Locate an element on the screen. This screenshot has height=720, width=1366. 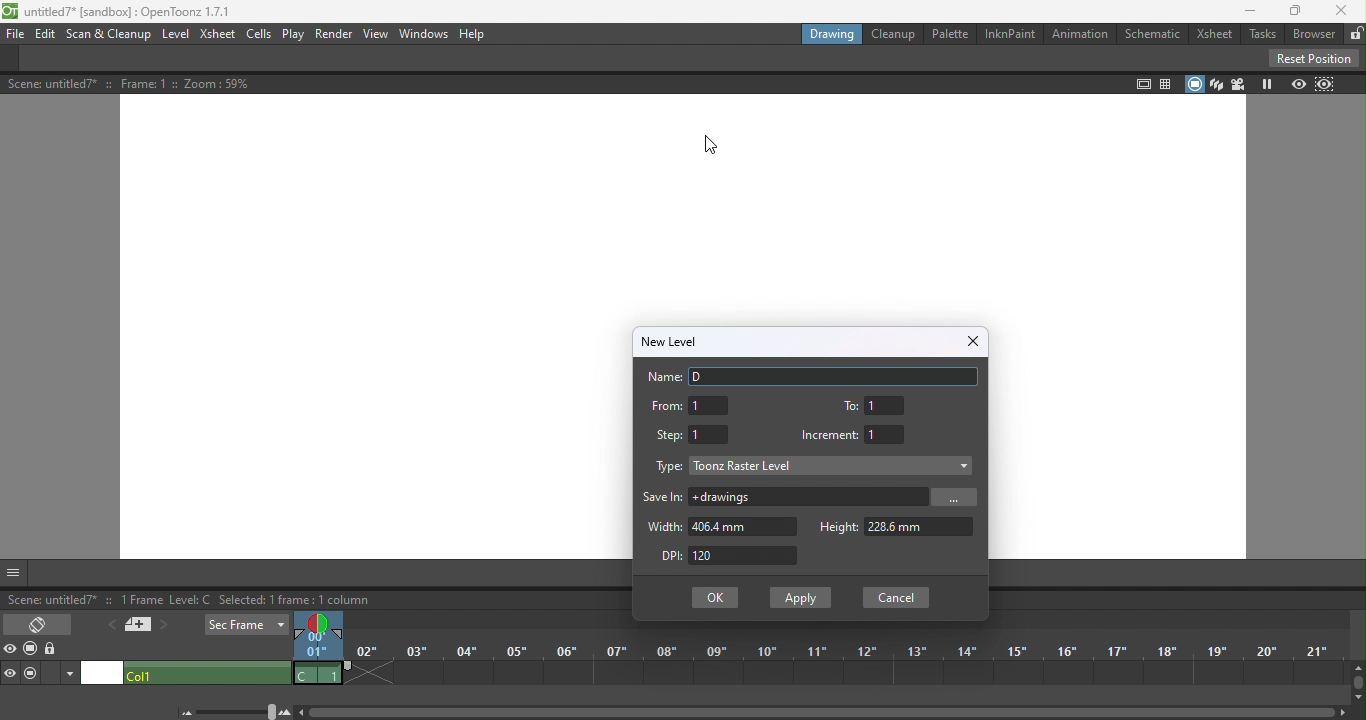
Safe area is located at coordinates (1142, 83).